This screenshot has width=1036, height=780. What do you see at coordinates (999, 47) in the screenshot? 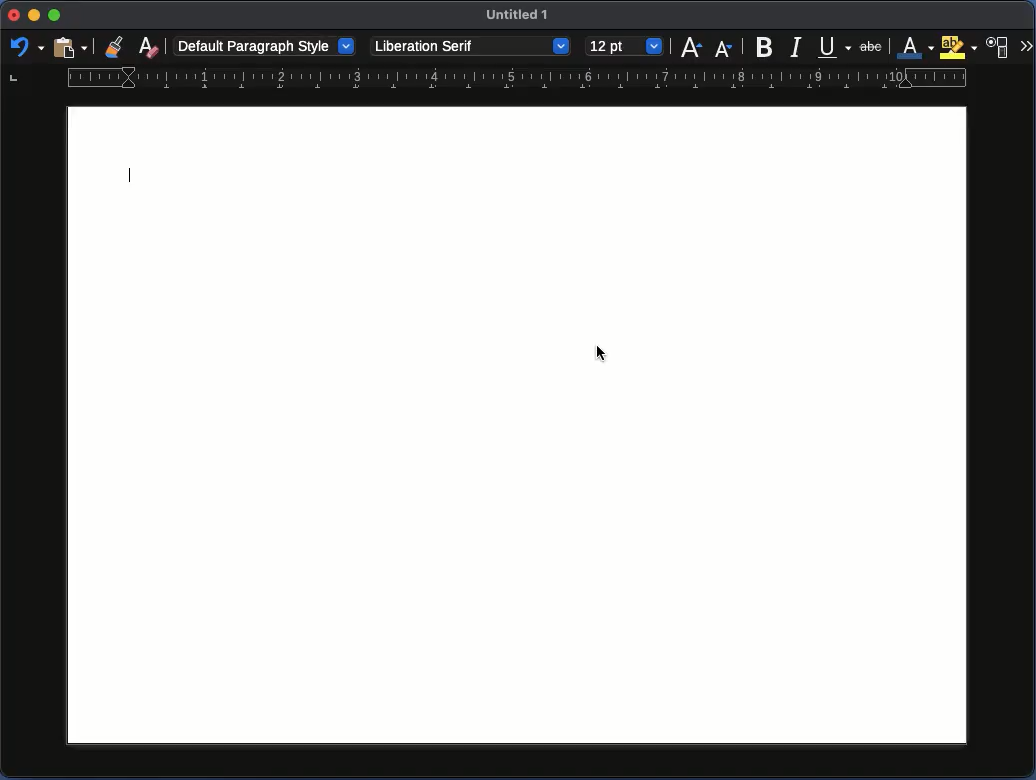
I see `Character` at bounding box center [999, 47].